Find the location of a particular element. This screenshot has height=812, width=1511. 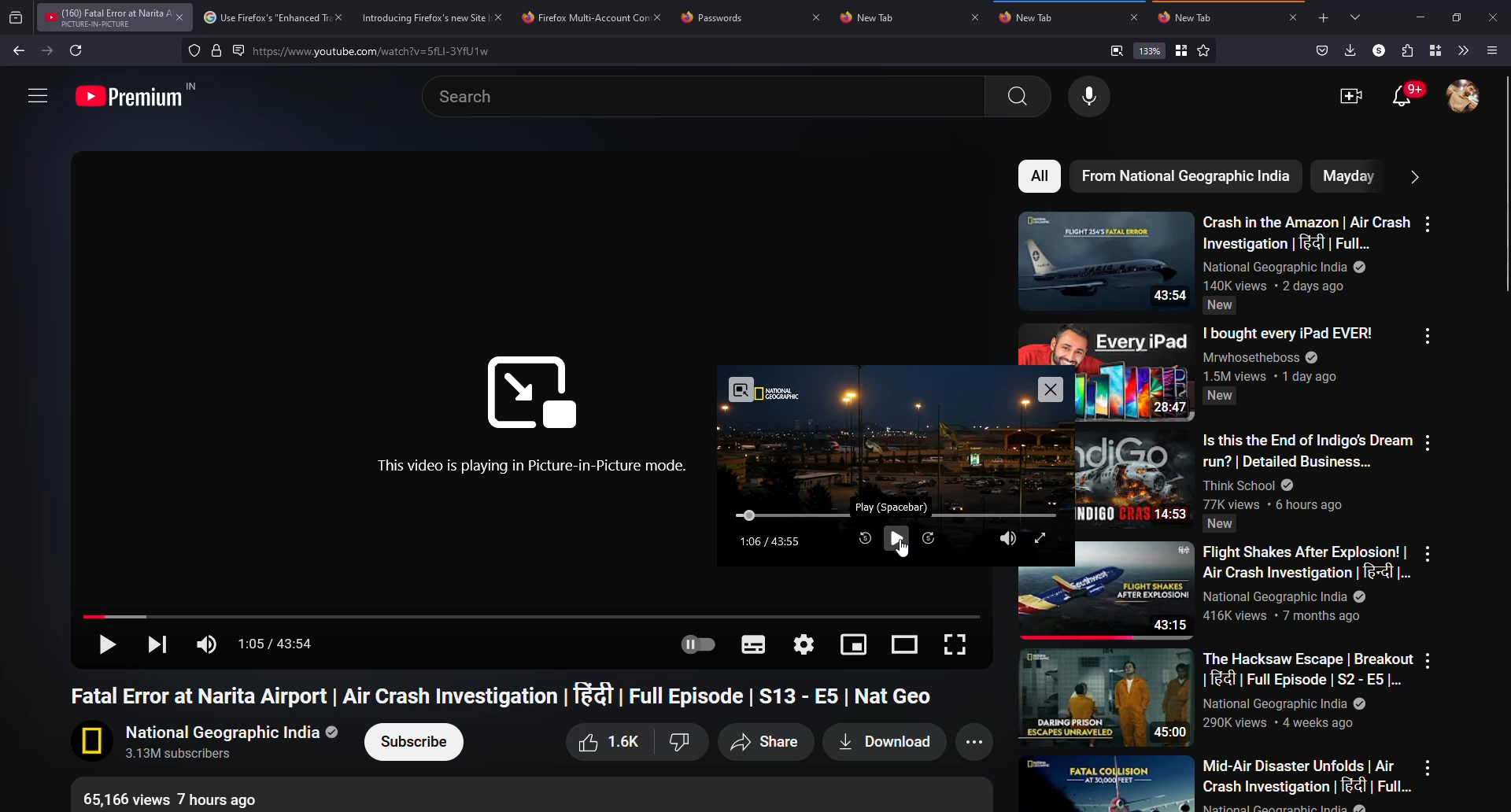

video text description is located at coordinates (1287, 354).